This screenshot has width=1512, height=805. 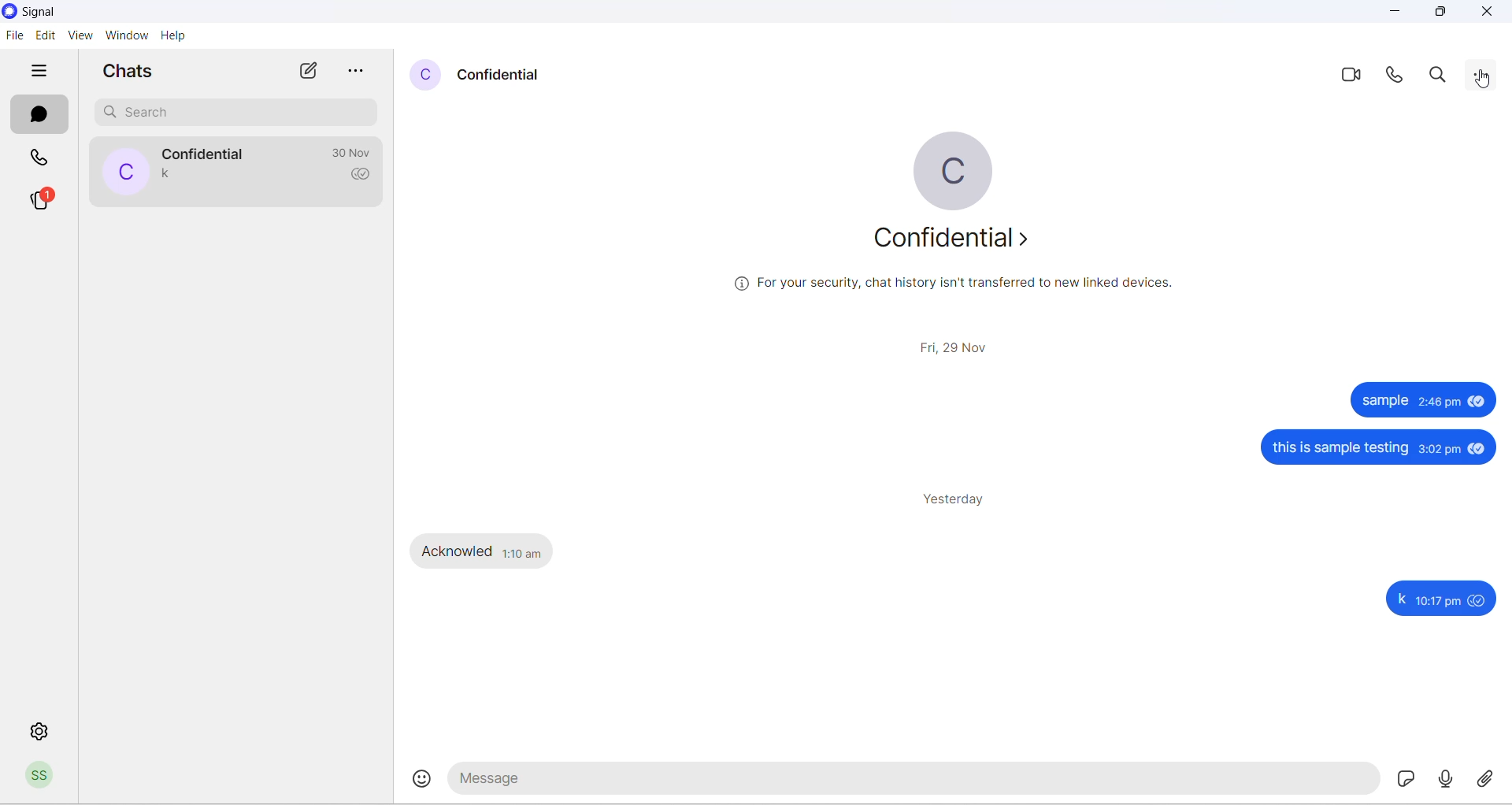 I want to click on more options, so click(x=360, y=67).